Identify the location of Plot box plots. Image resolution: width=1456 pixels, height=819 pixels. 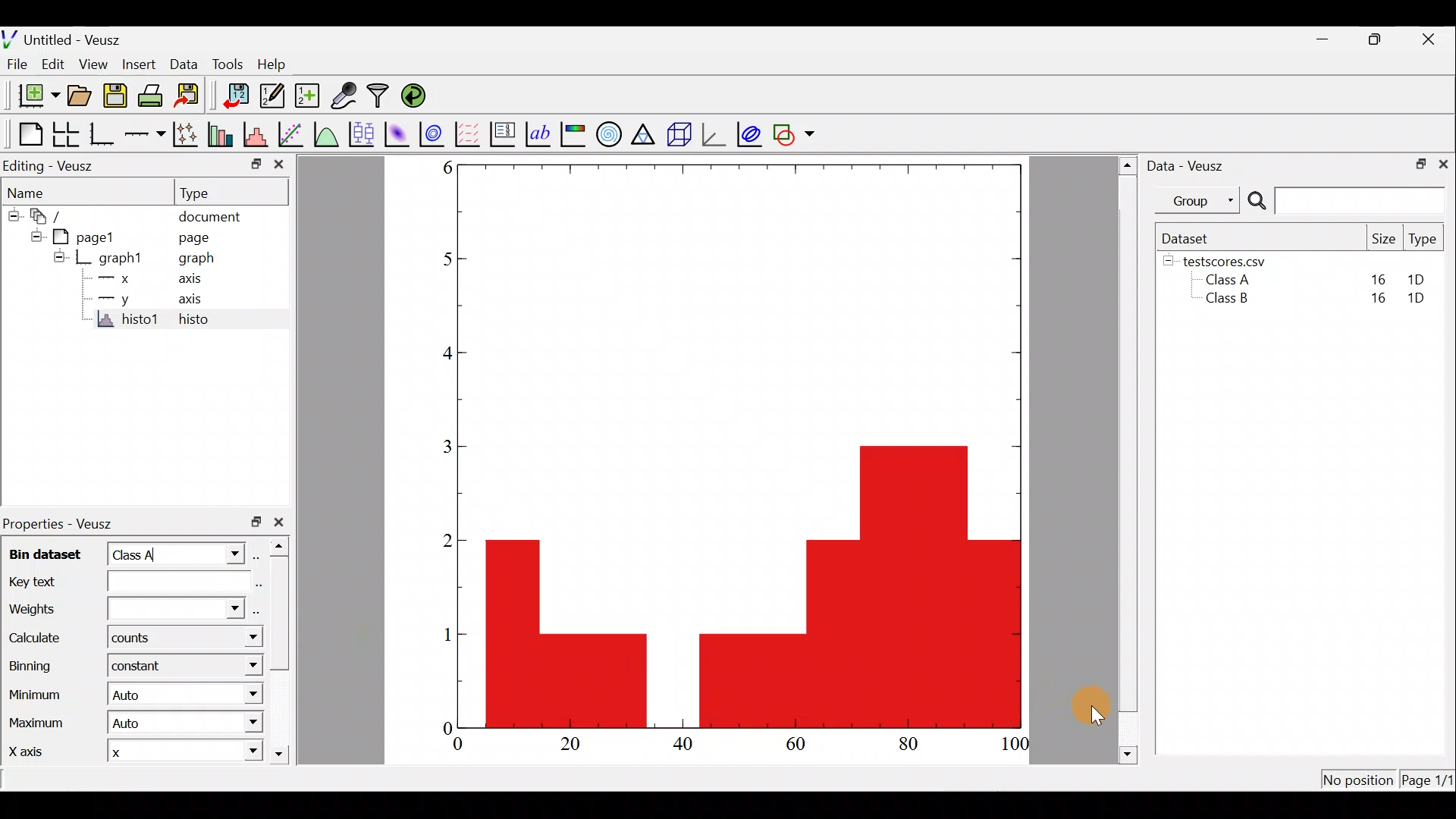
(360, 133).